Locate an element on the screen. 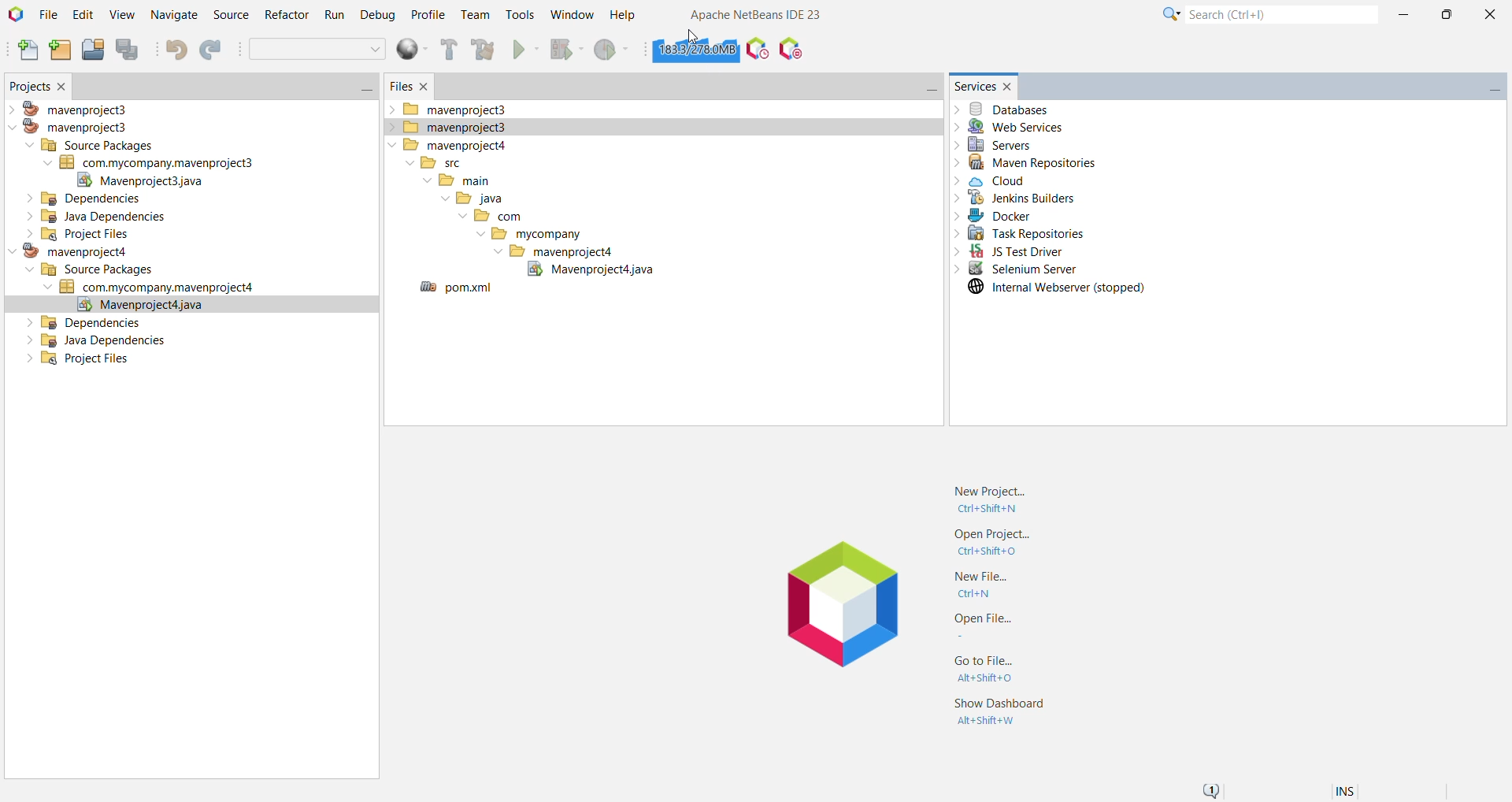 The width and height of the screenshot is (1512, 802). Maven Repositories is located at coordinates (1039, 164).